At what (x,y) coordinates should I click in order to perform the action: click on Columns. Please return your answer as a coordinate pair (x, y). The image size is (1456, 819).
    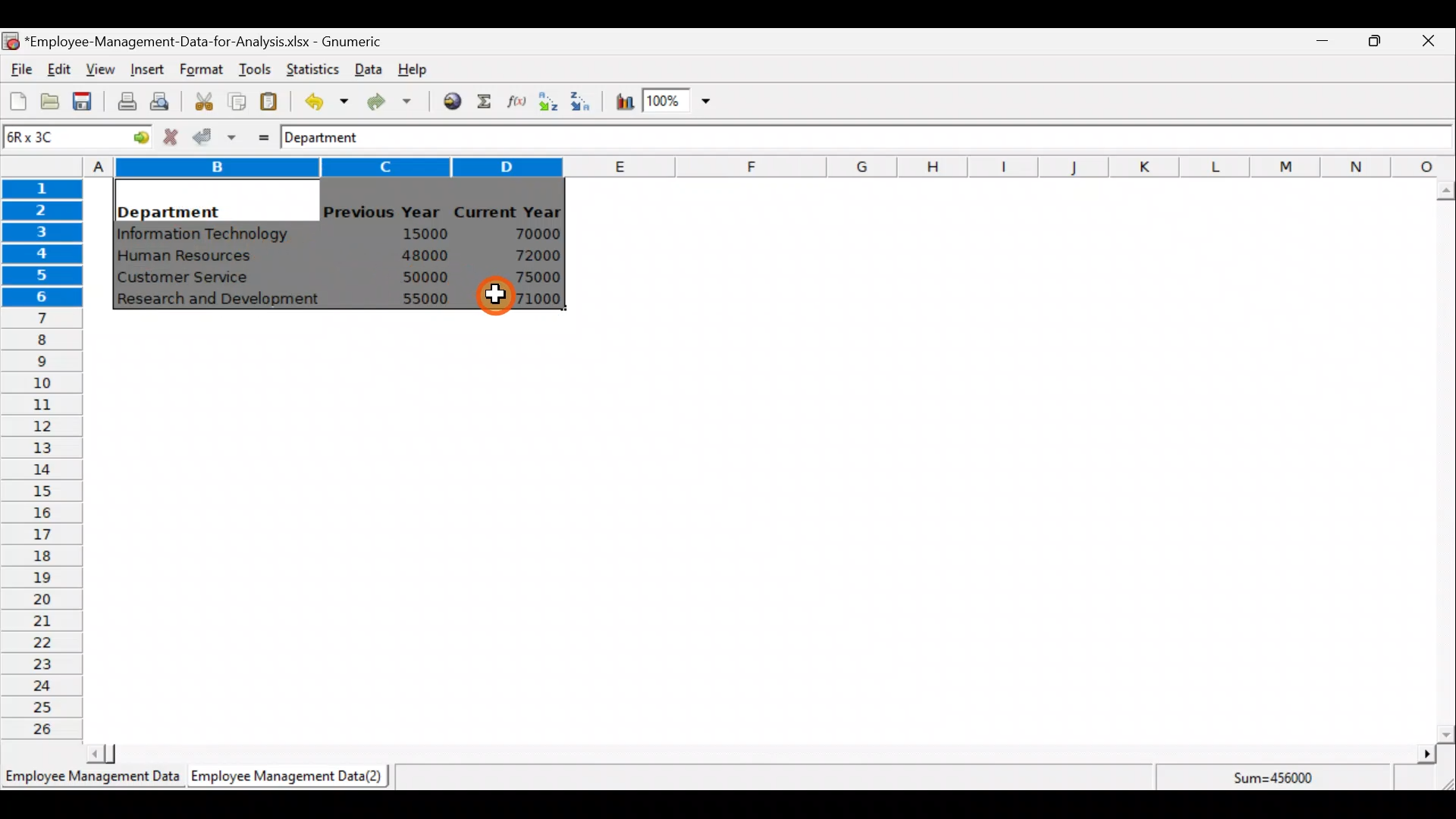
    Looking at the image, I should click on (769, 165).